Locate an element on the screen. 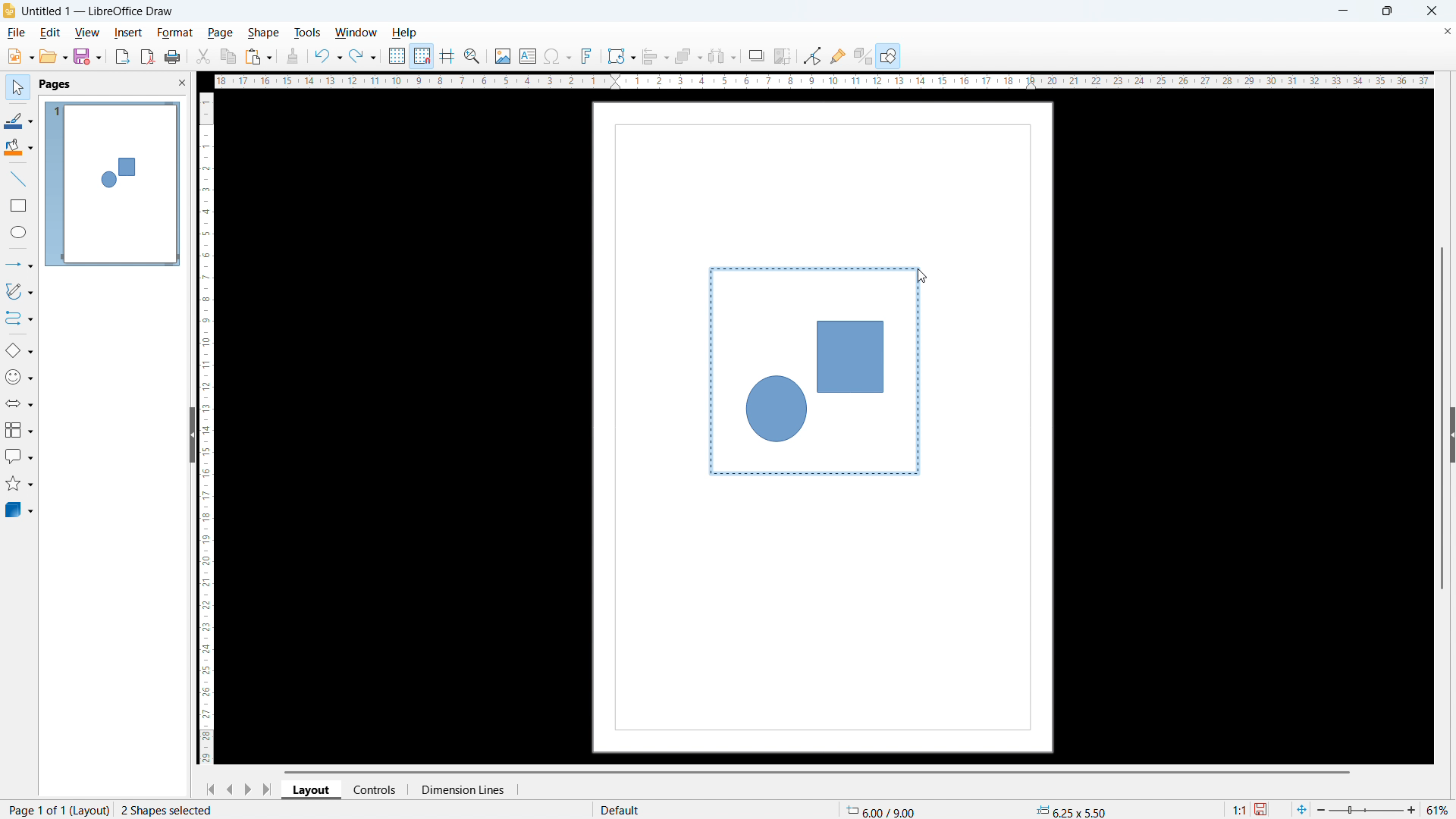  block arrows is located at coordinates (20, 403).